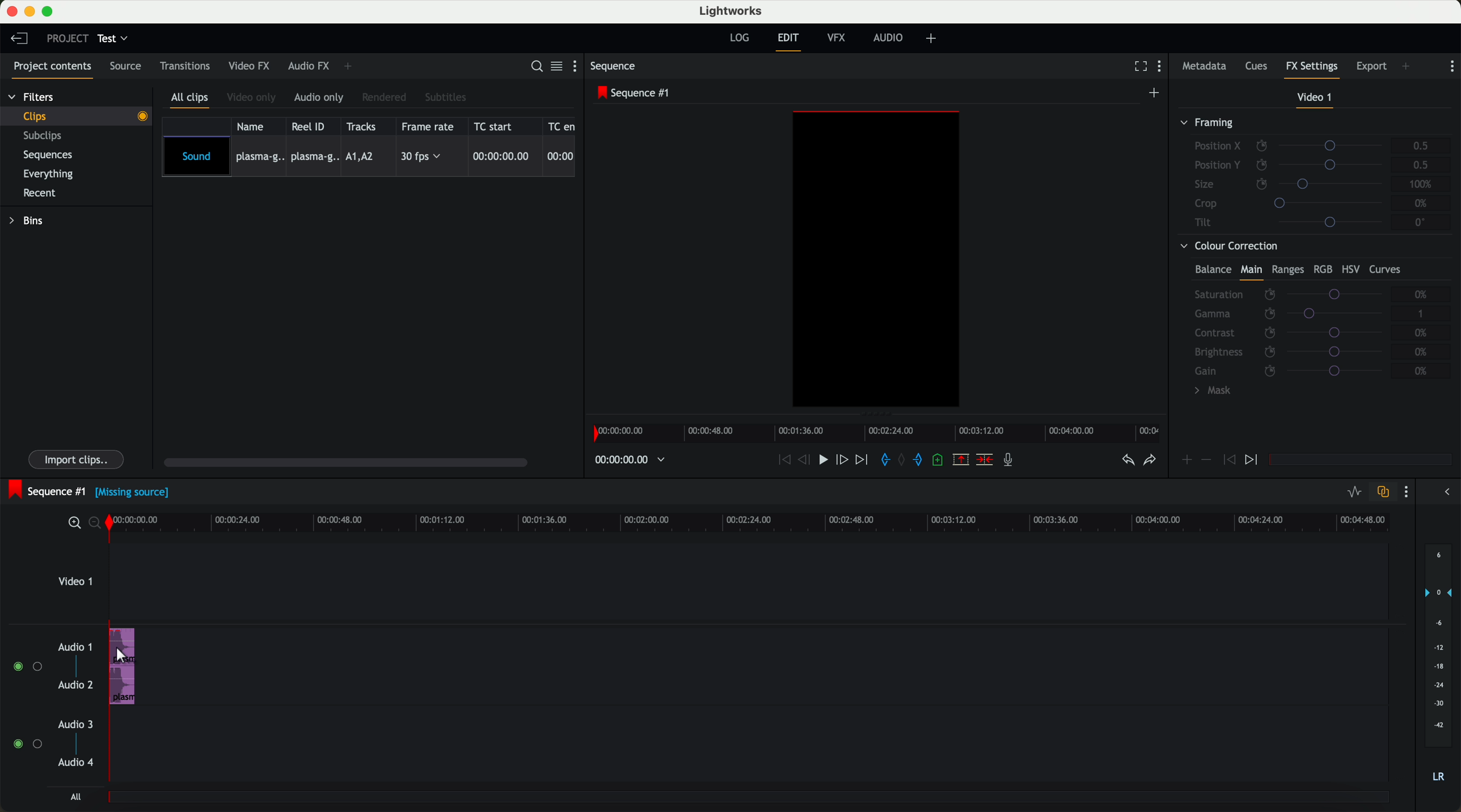  What do you see at coordinates (248, 67) in the screenshot?
I see `video FX` at bounding box center [248, 67].